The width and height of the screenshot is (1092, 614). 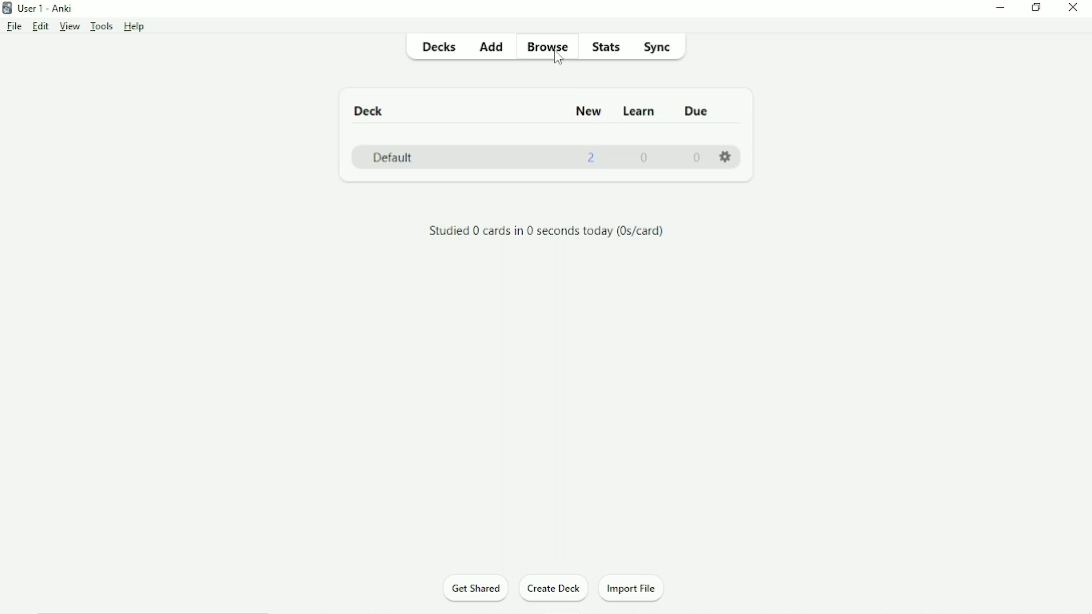 What do you see at coordinates (561, 61) in the screenshot?
I see `Cursor` at bounding box center [561, 61].